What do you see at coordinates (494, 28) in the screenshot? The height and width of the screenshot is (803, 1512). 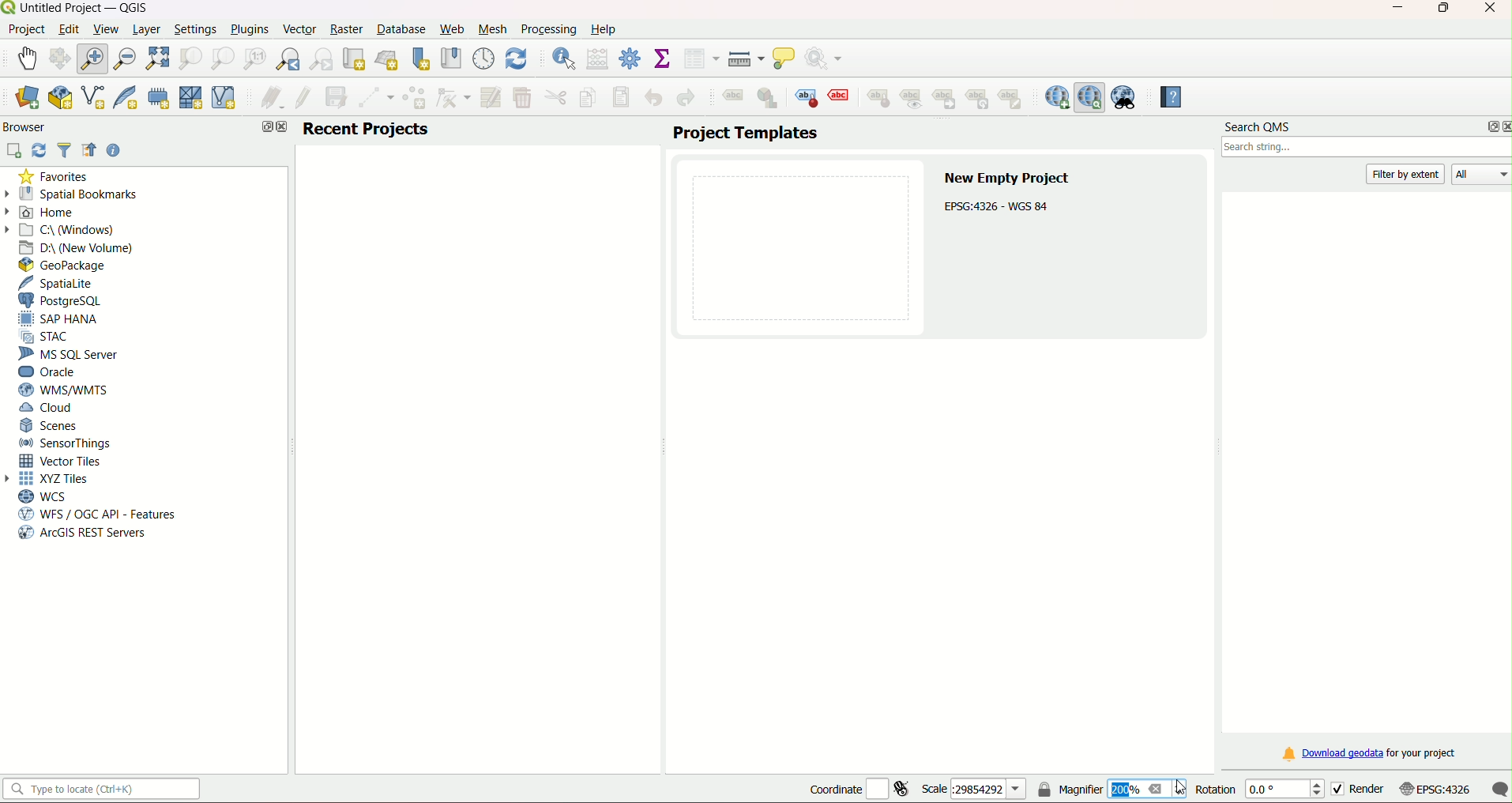 I see `mesh` at bounding box center [494, 28].